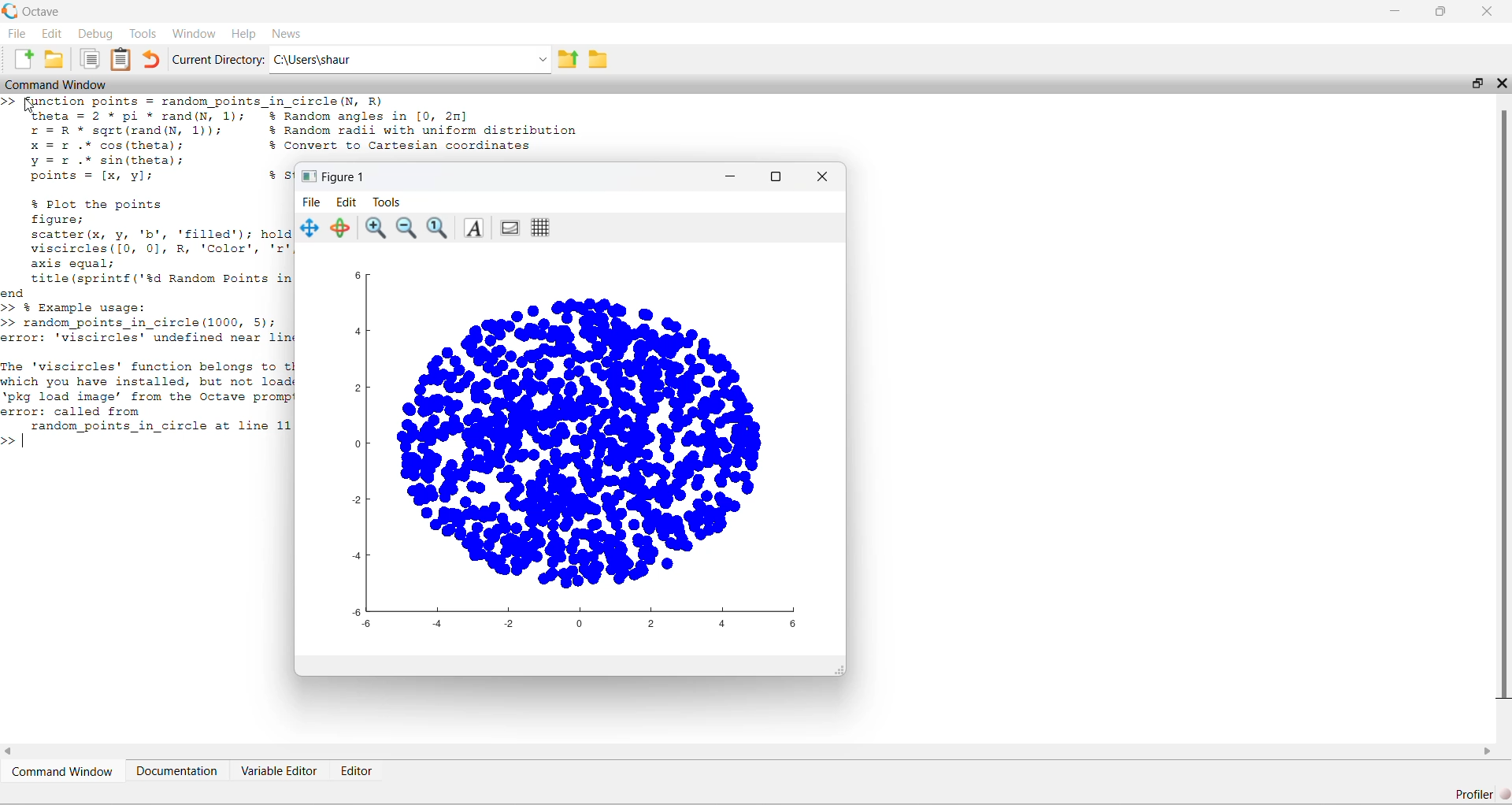 Image resolution: width=1512 pixels, height=805 pixels. I want to click on Editor, so click(358, 770).